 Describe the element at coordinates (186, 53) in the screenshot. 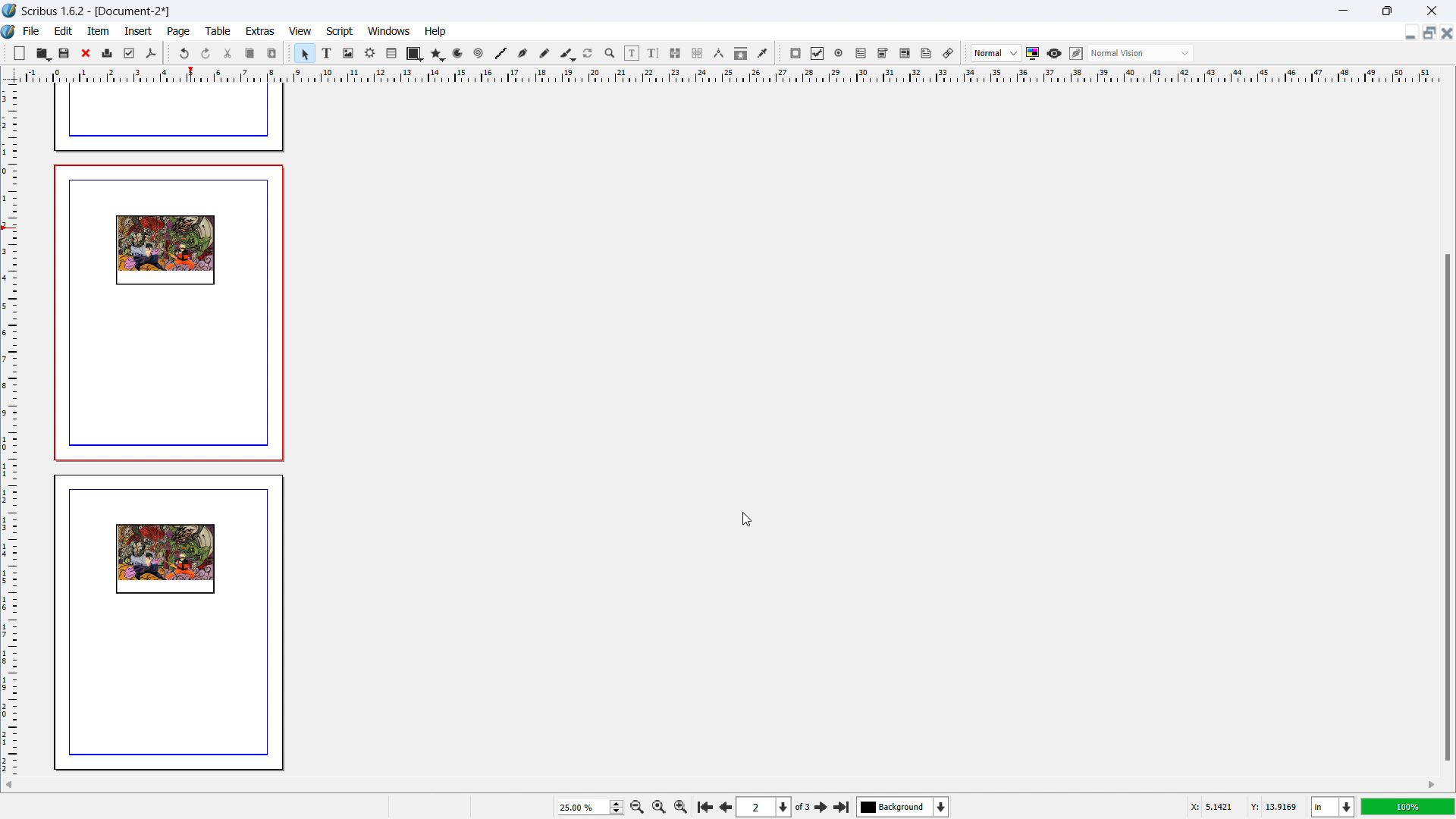

I see `undo` at that location.